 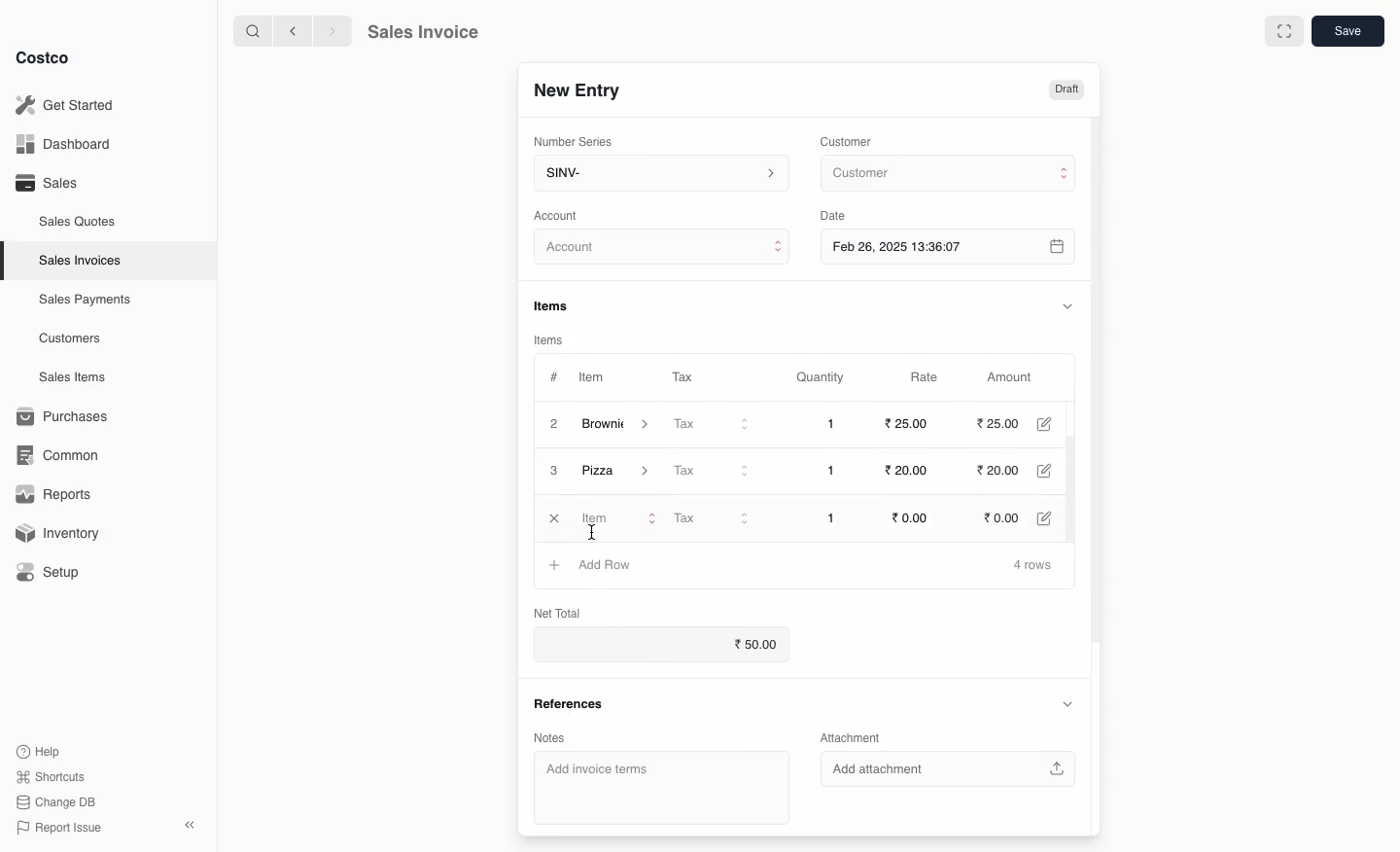 I want to click on 1, so click(x=837, y=519).